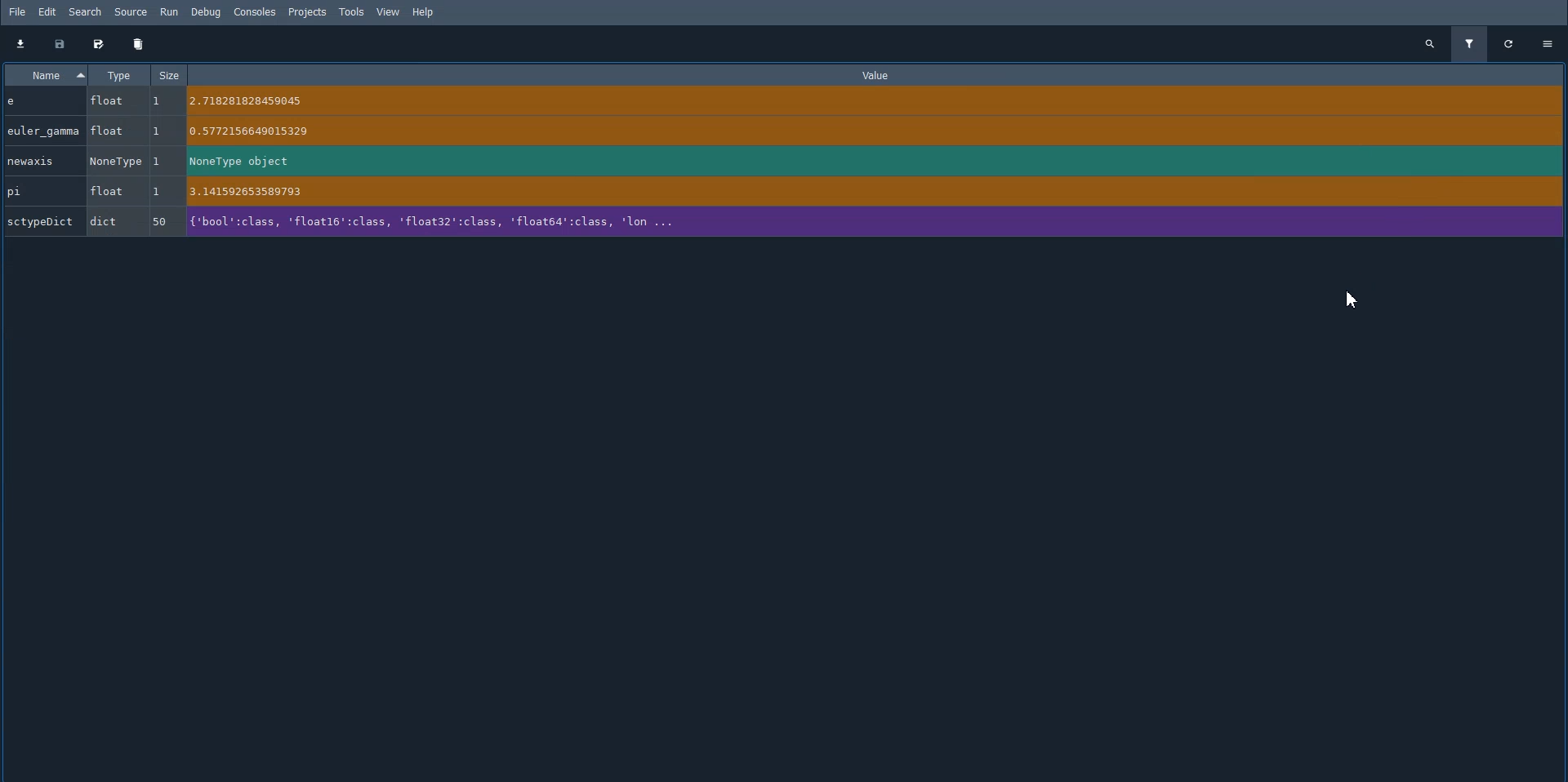  What do you see at coordinates (427, 12) in the screenshot?
I see `Help` at bounding box center [427, 12].